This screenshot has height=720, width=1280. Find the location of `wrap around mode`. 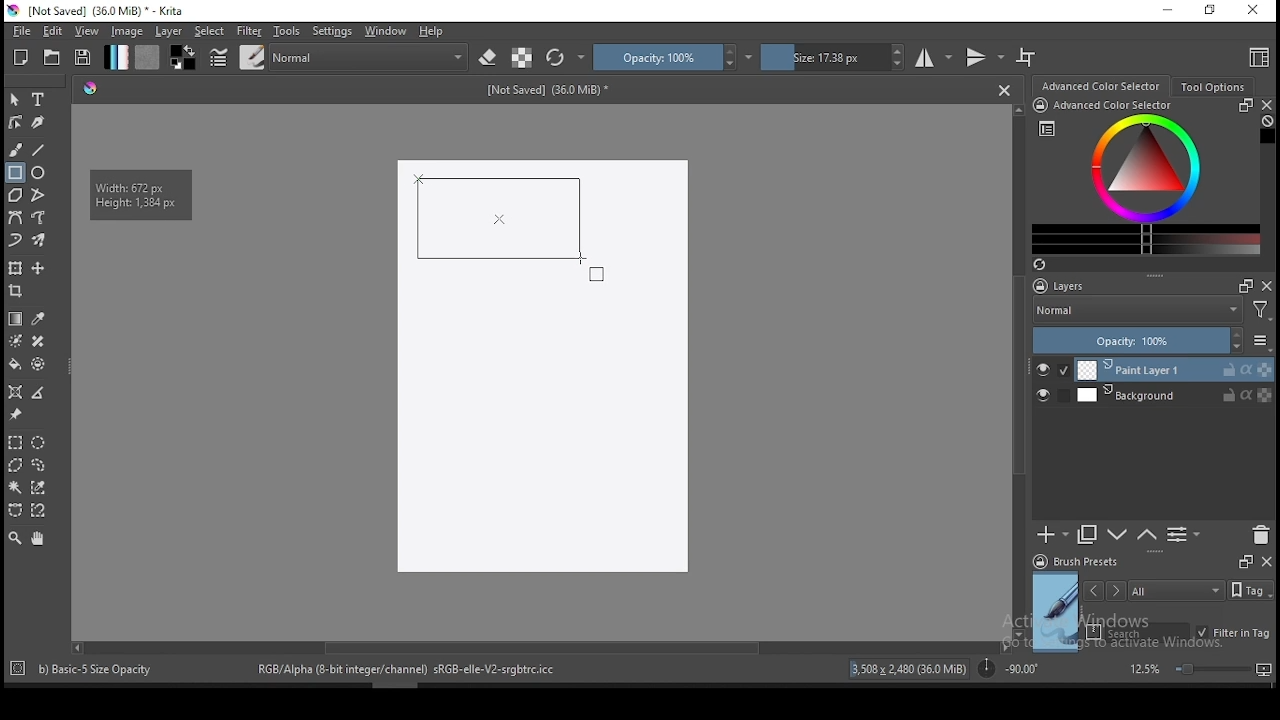

wrap around mode is located at coordinates (1027, 57).